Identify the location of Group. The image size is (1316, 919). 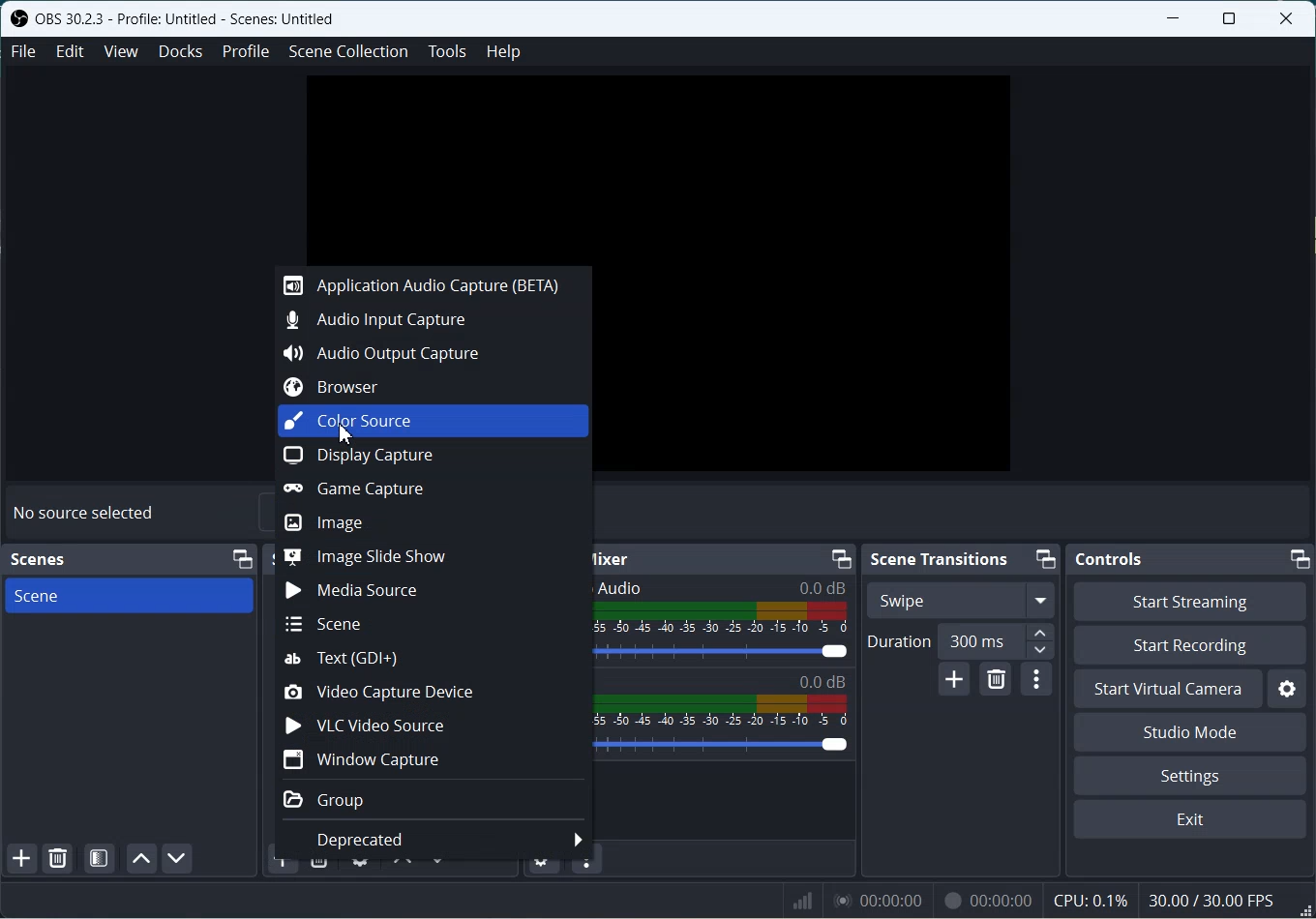
(433, 799).